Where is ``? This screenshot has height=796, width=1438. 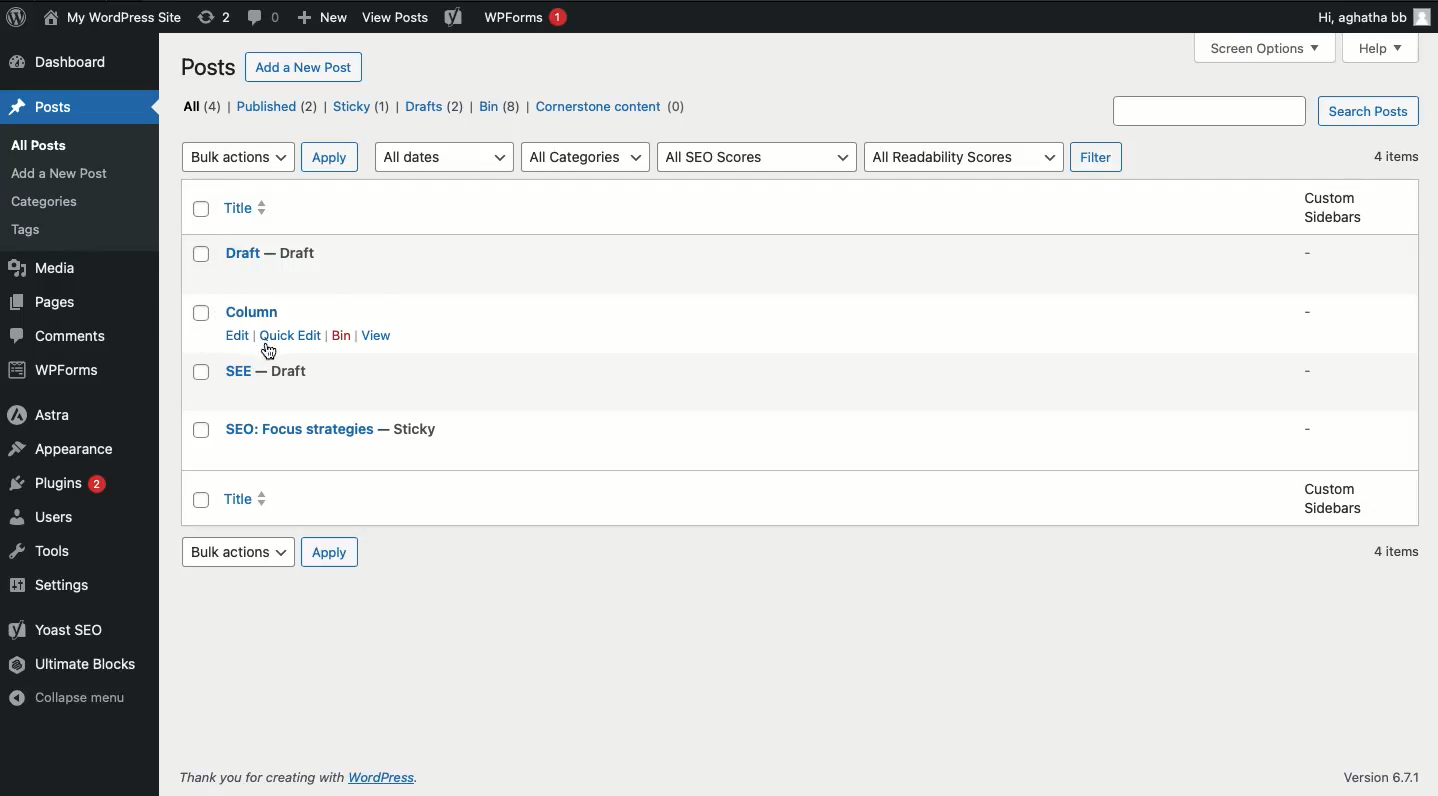  is located at coordinates (61, 174).